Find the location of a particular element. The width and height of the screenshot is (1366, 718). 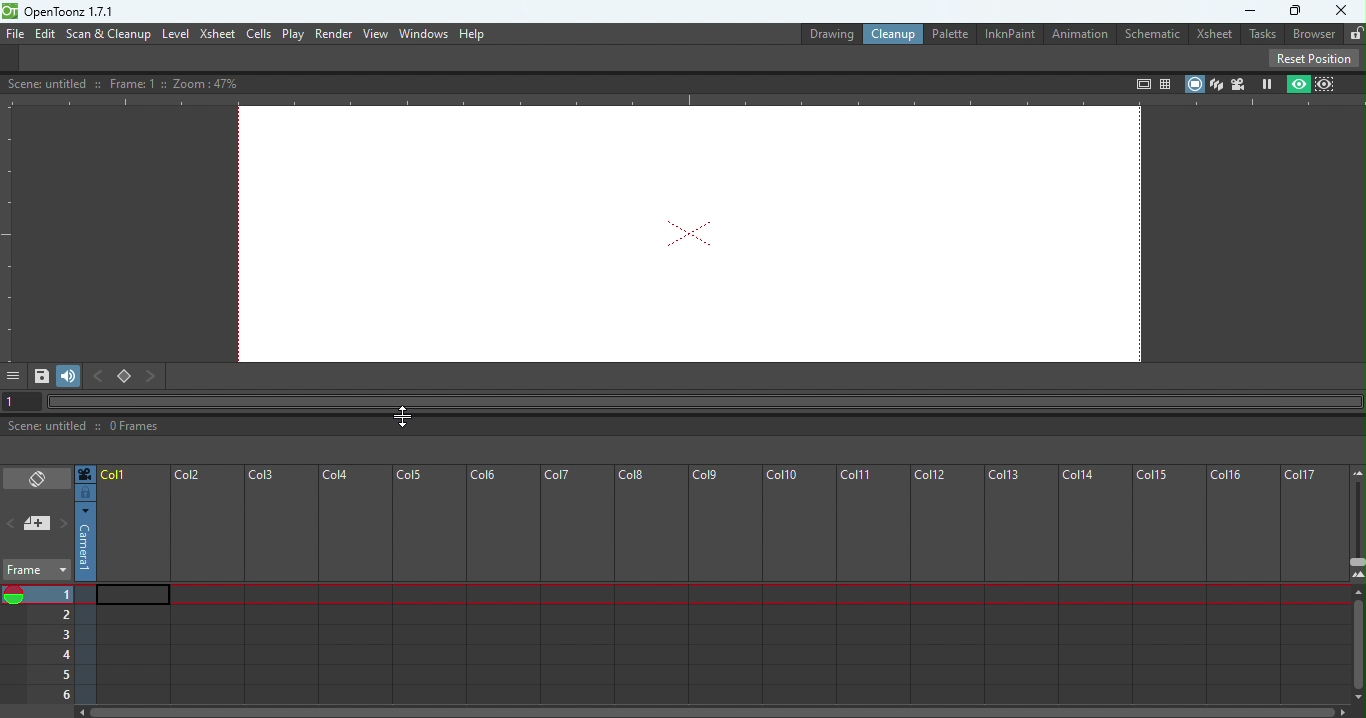

Tasks is located at coordinates (1261, 35).